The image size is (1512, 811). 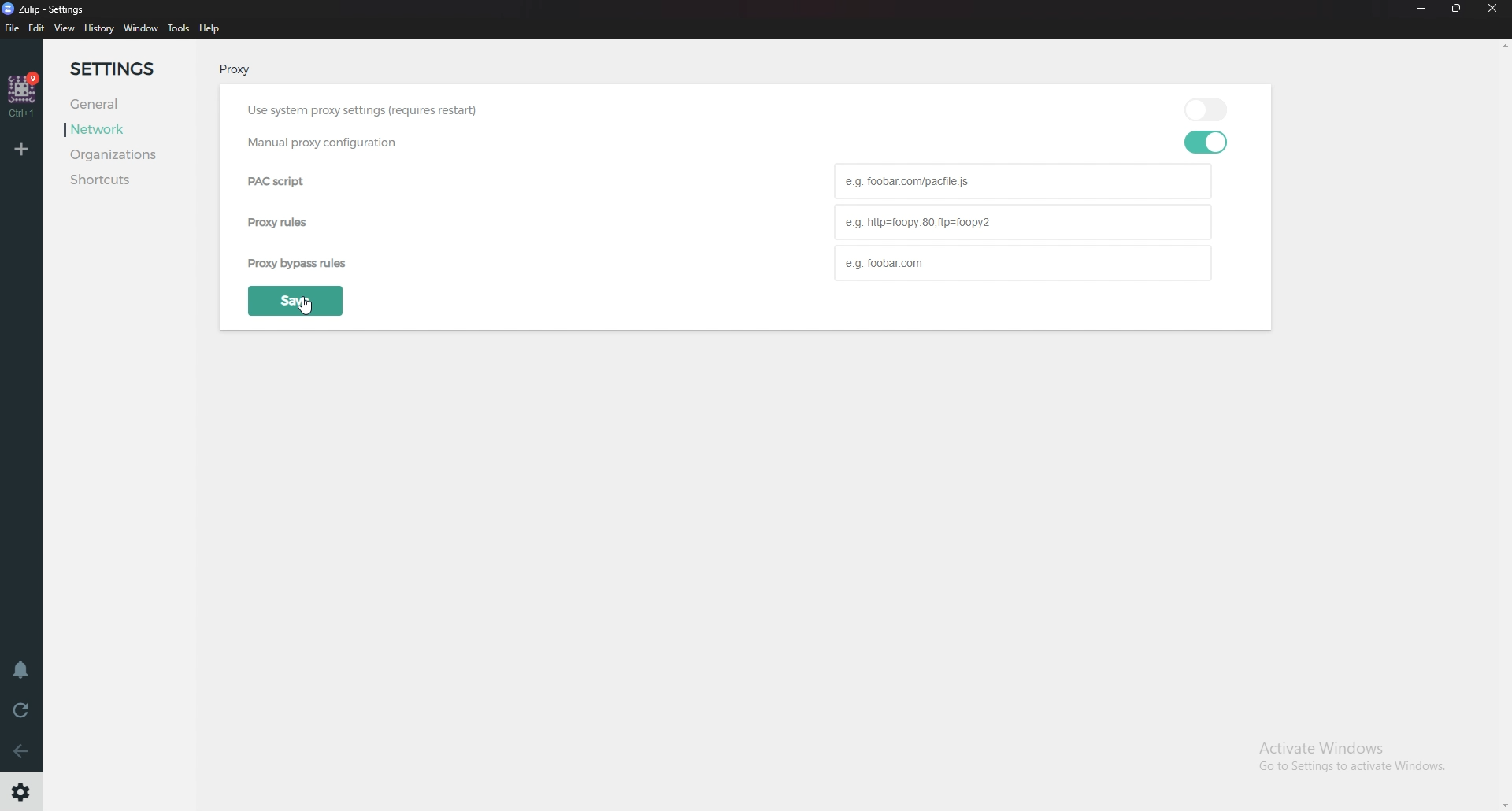 What do you see at coordinates (209, 29) in the screenshot?
I see `help` at bounding box center [209, 29].